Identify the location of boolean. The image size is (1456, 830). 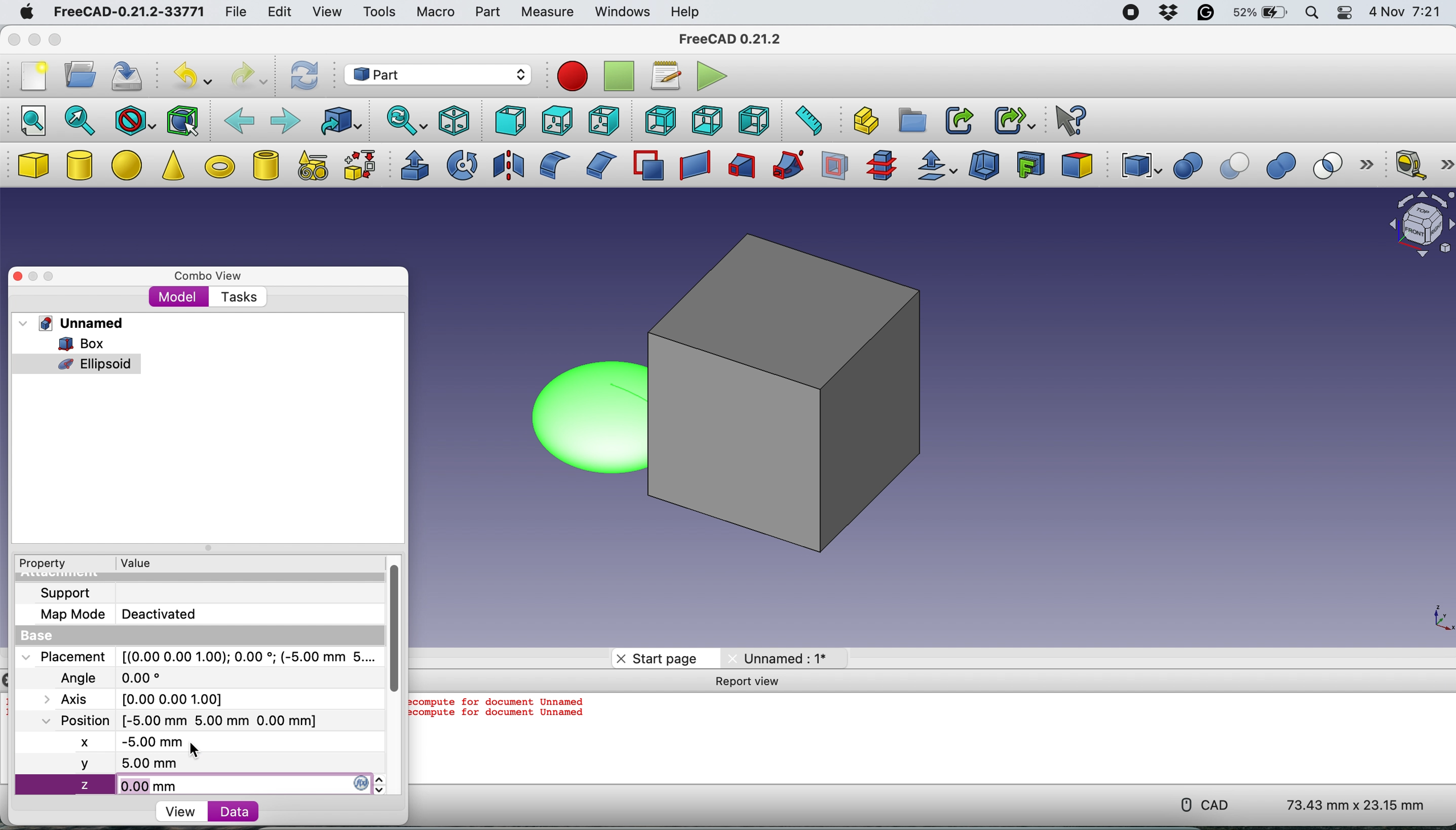
(1188, 166).